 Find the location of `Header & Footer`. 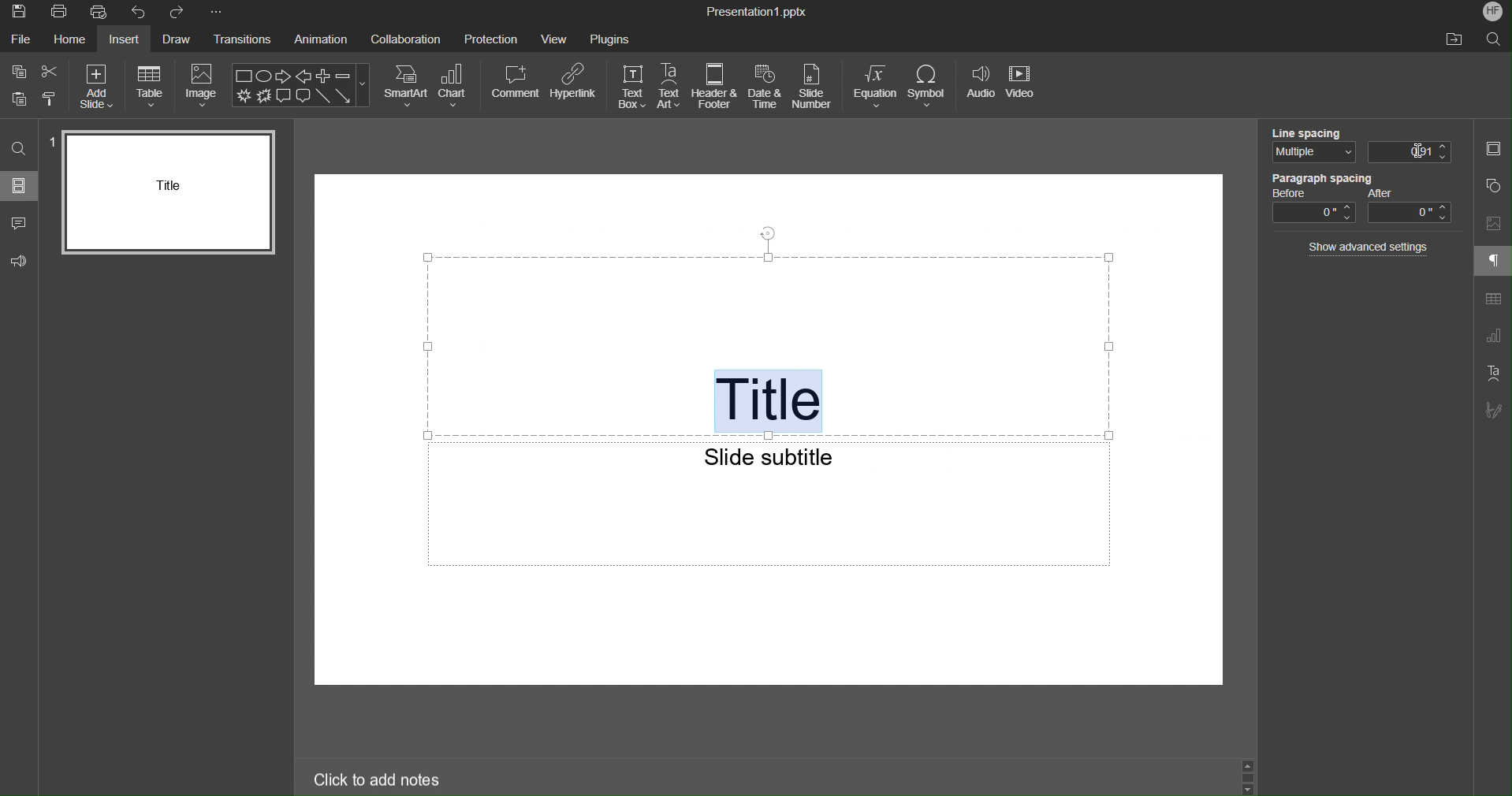

Header & Footer is located at coordinates (715, 87).